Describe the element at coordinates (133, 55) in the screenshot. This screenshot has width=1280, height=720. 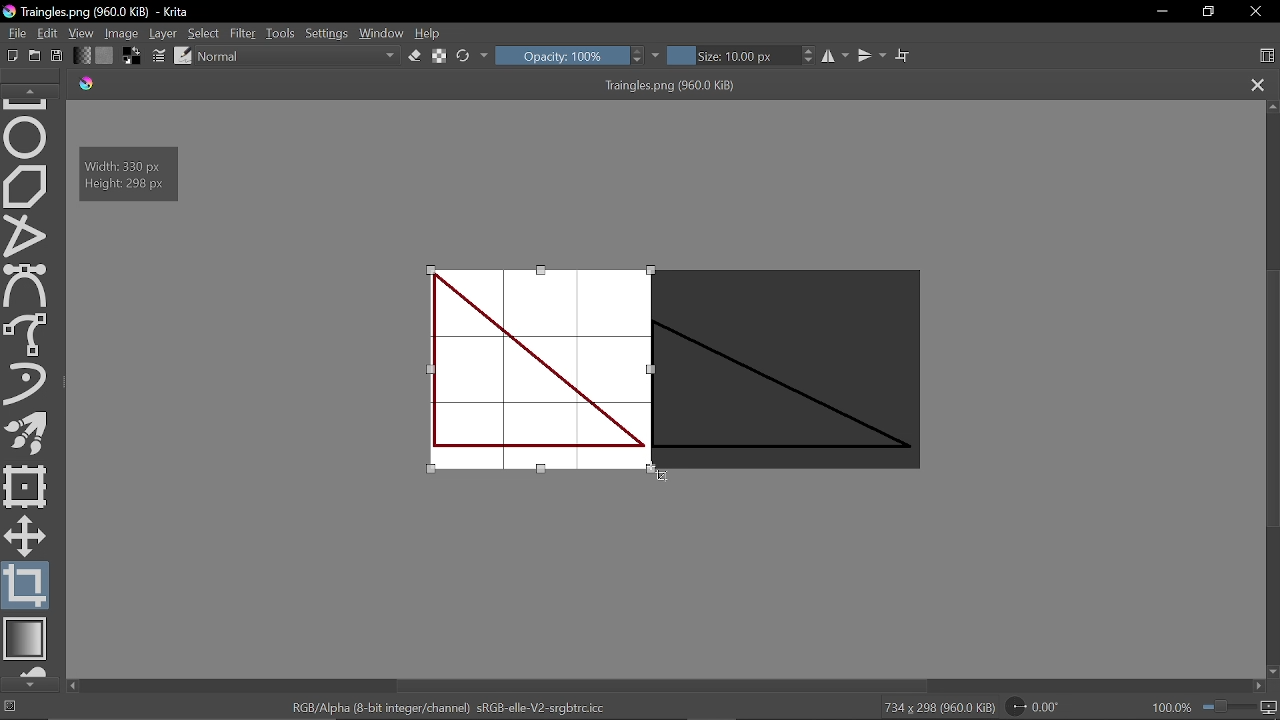
I see `Foreground color` at that location.